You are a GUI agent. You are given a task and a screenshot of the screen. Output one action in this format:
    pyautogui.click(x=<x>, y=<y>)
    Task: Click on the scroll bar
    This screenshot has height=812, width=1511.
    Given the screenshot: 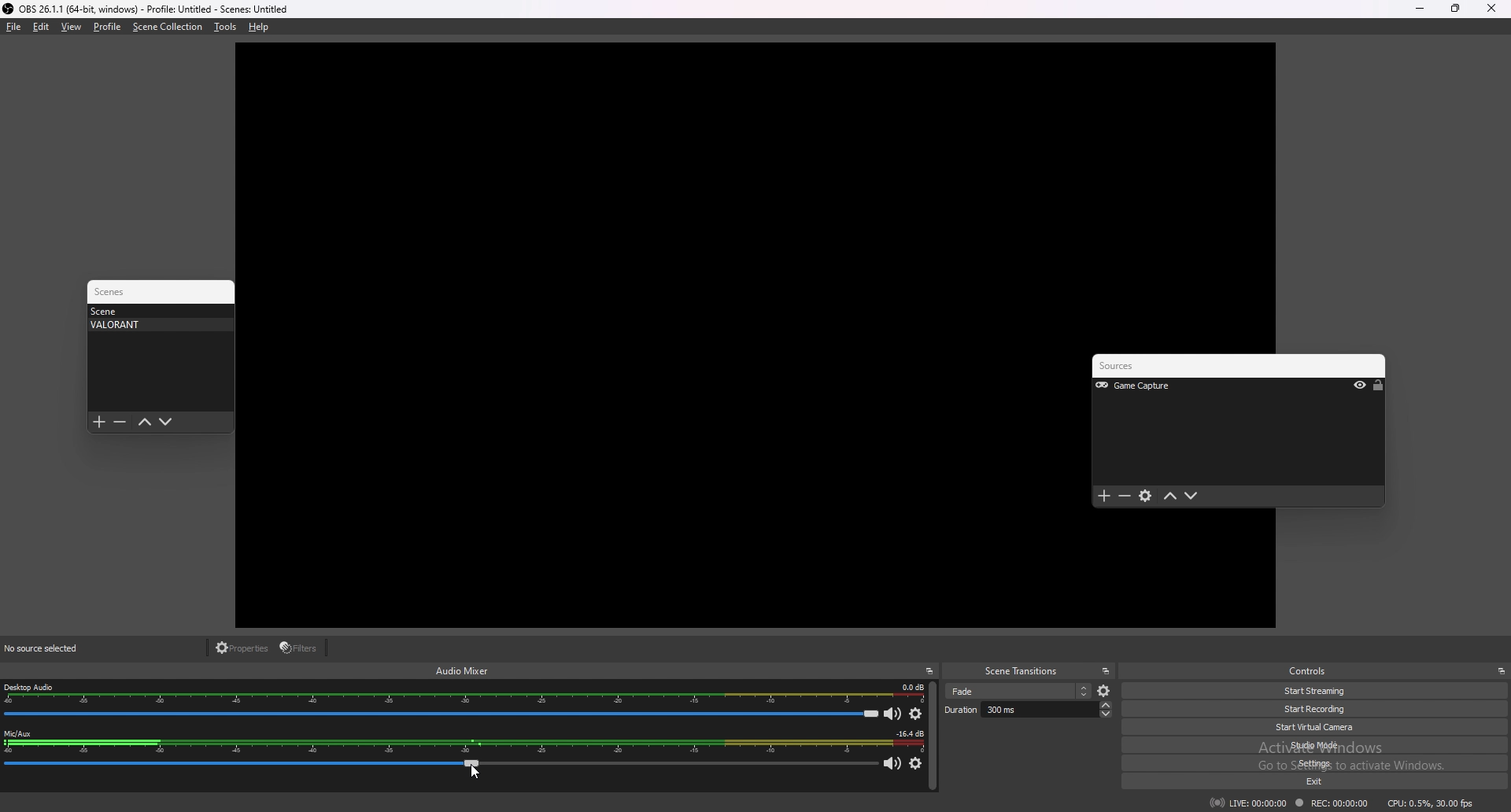 What is the action you would take?
    pyautogui.click(x=933, y=736)
    